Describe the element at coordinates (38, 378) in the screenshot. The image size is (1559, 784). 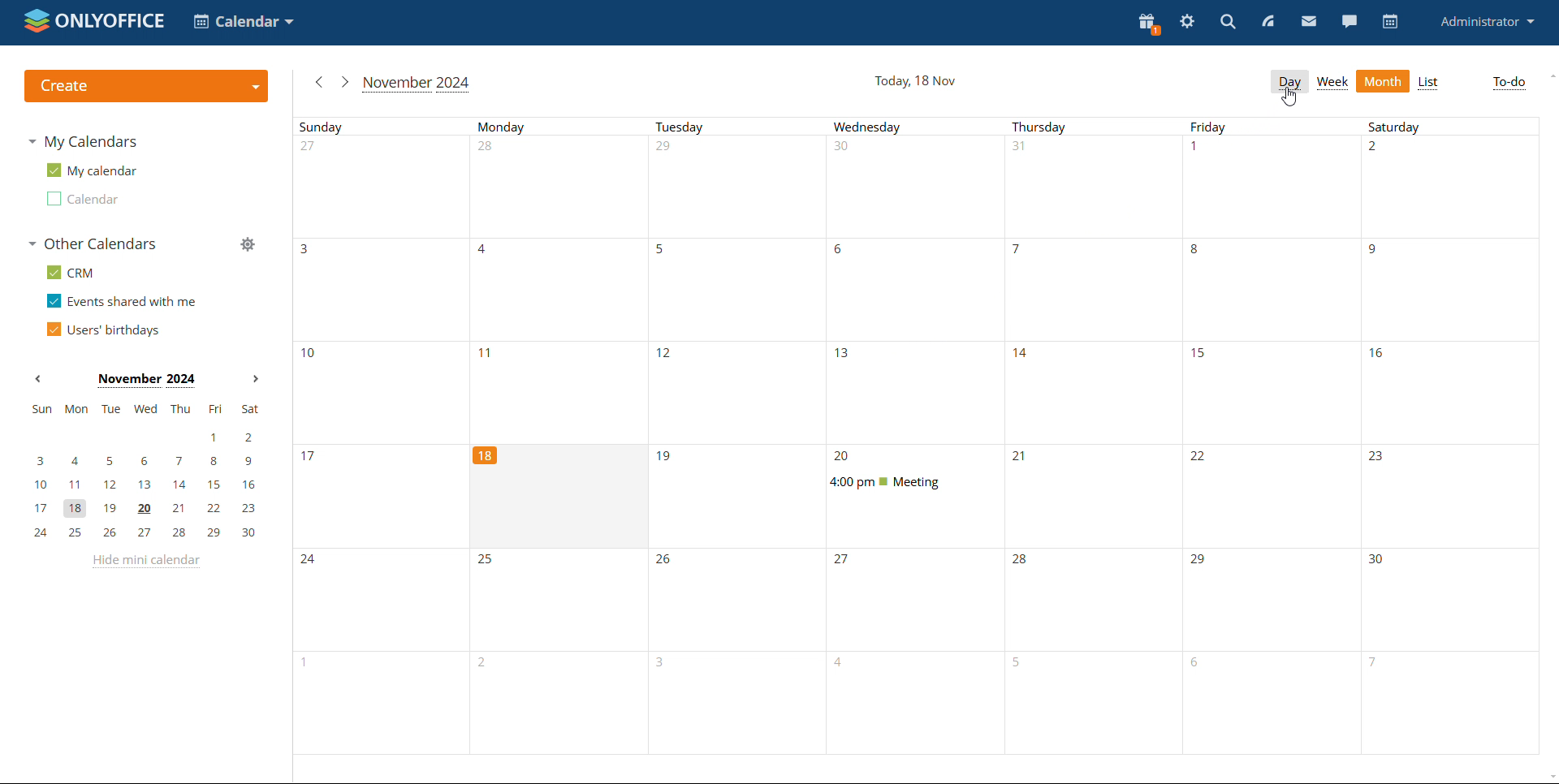
I see `previous month` at that location.